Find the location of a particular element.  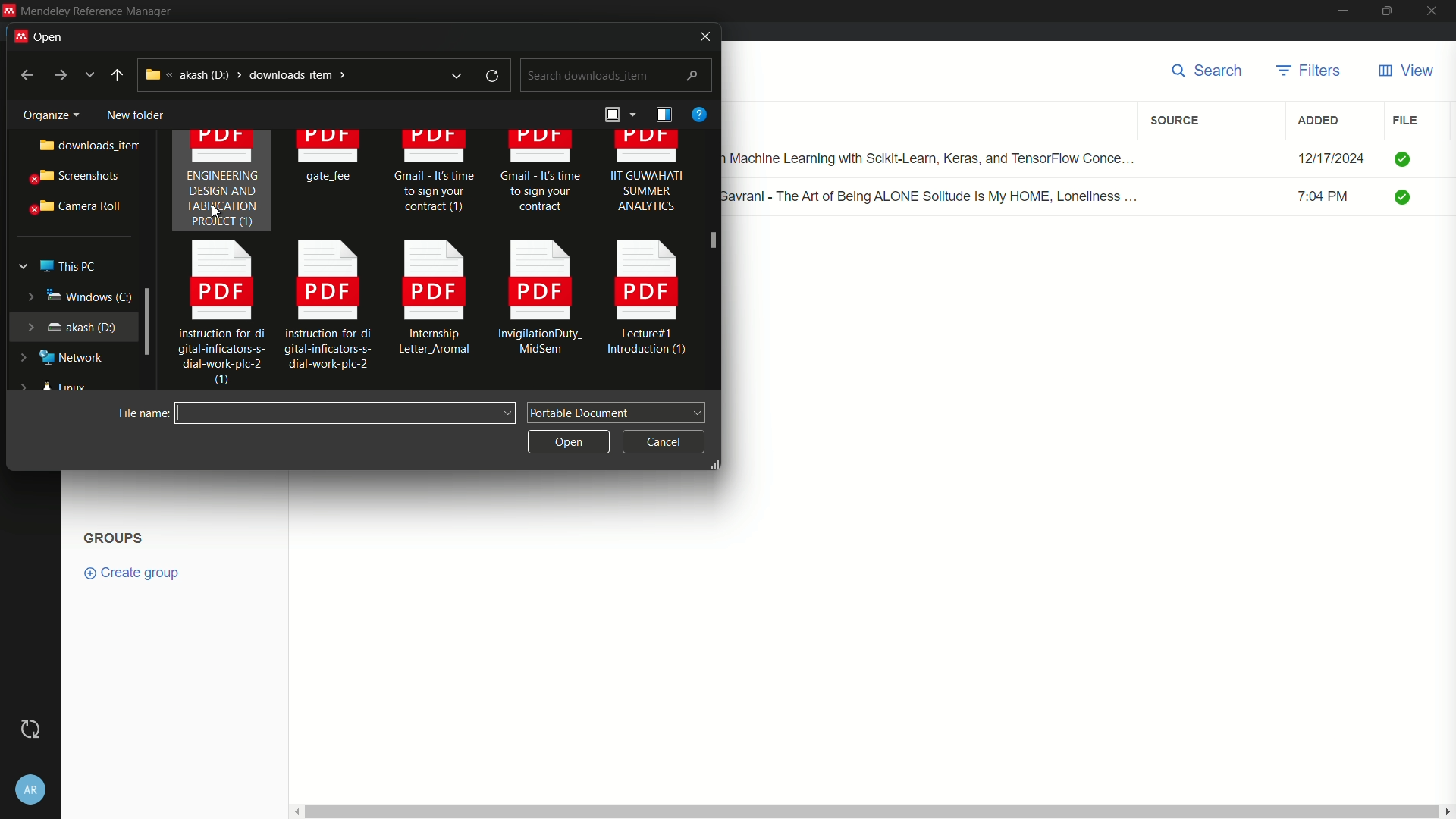

file name:  is located at coordinates (143, 413).